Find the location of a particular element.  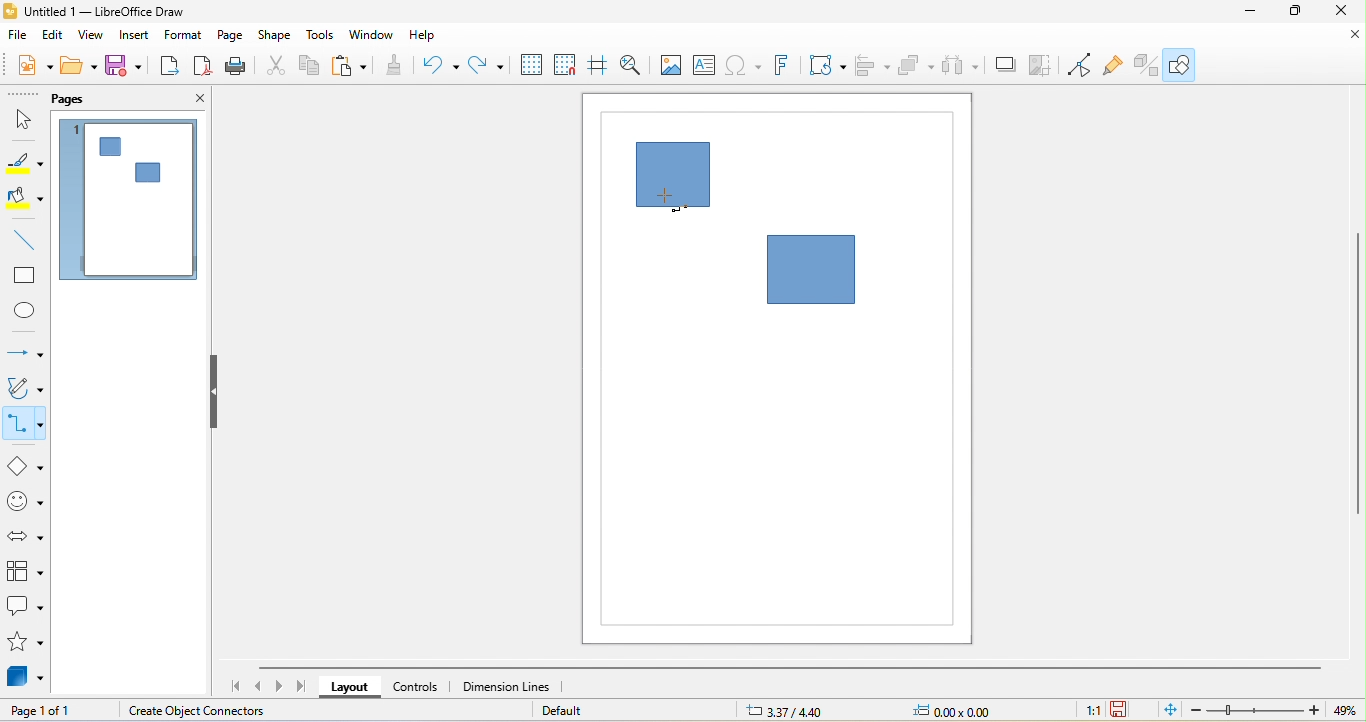

snap to grid is located at coordinates (570, 65).